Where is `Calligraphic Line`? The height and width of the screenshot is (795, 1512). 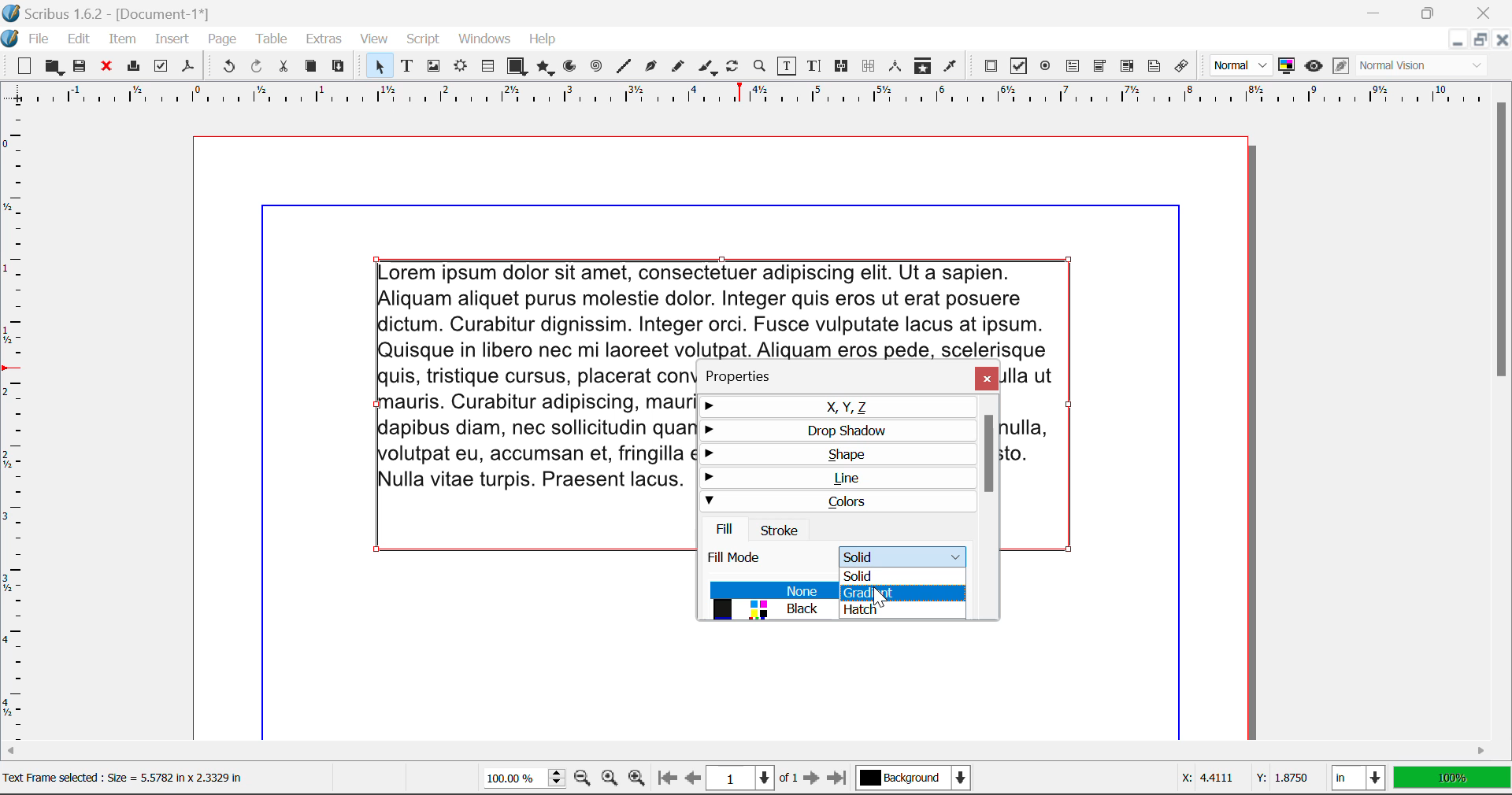 Calligraphic Line is located at coordinates (709, 69).